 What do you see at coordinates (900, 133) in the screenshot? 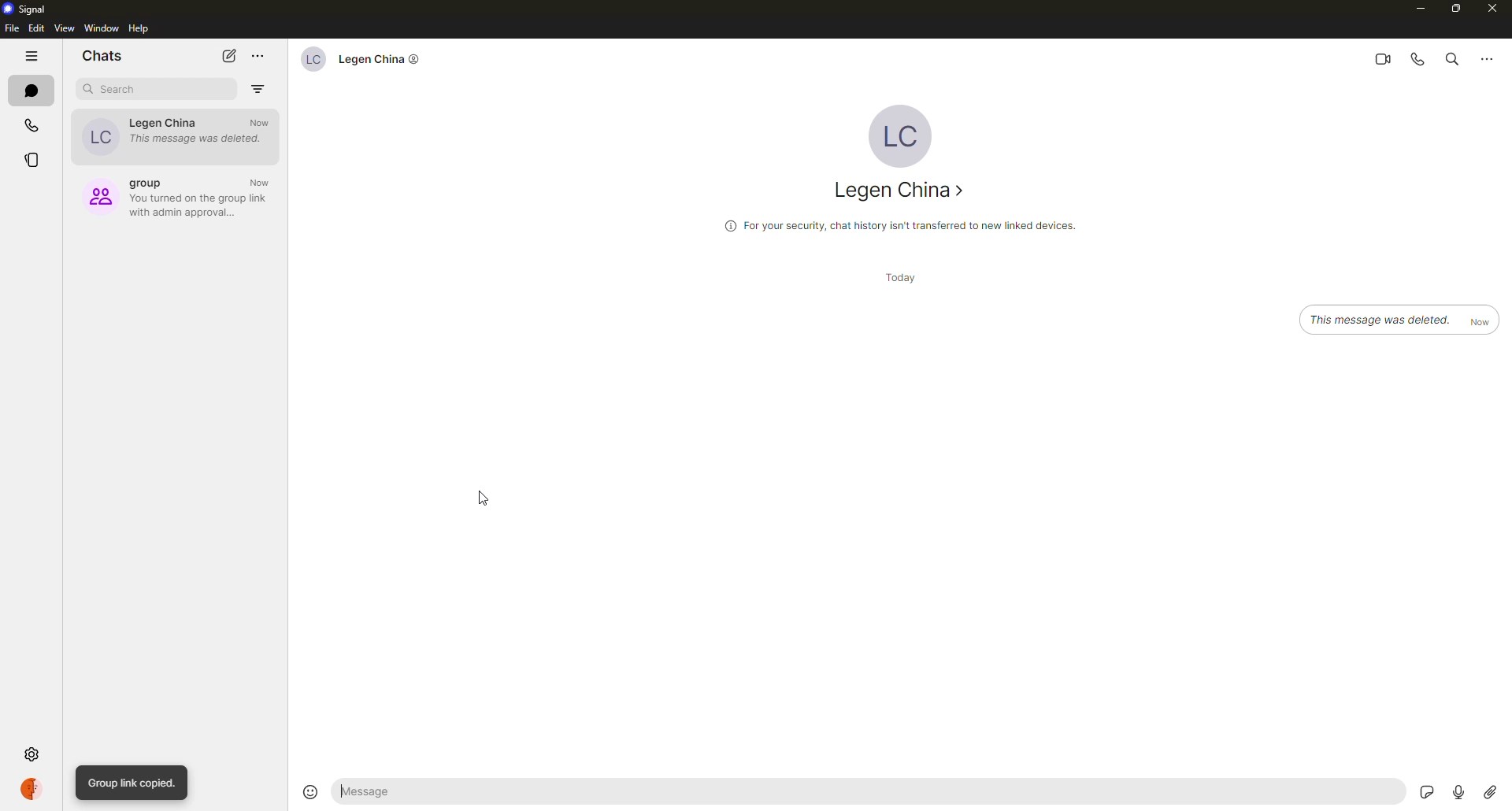
I see `profile pic` at bounding box center [900, 133].